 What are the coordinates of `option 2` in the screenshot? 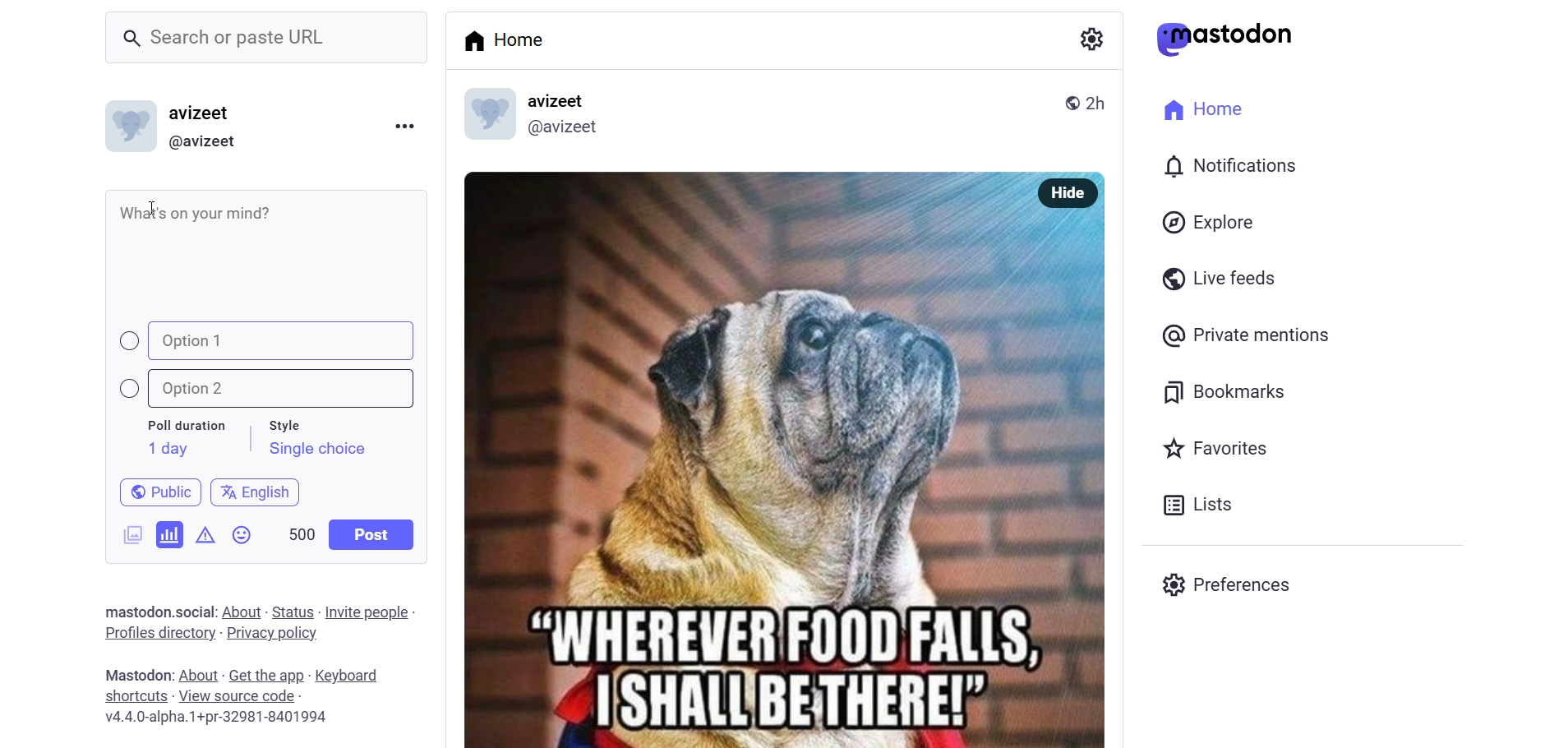 It's located at (275, 389).